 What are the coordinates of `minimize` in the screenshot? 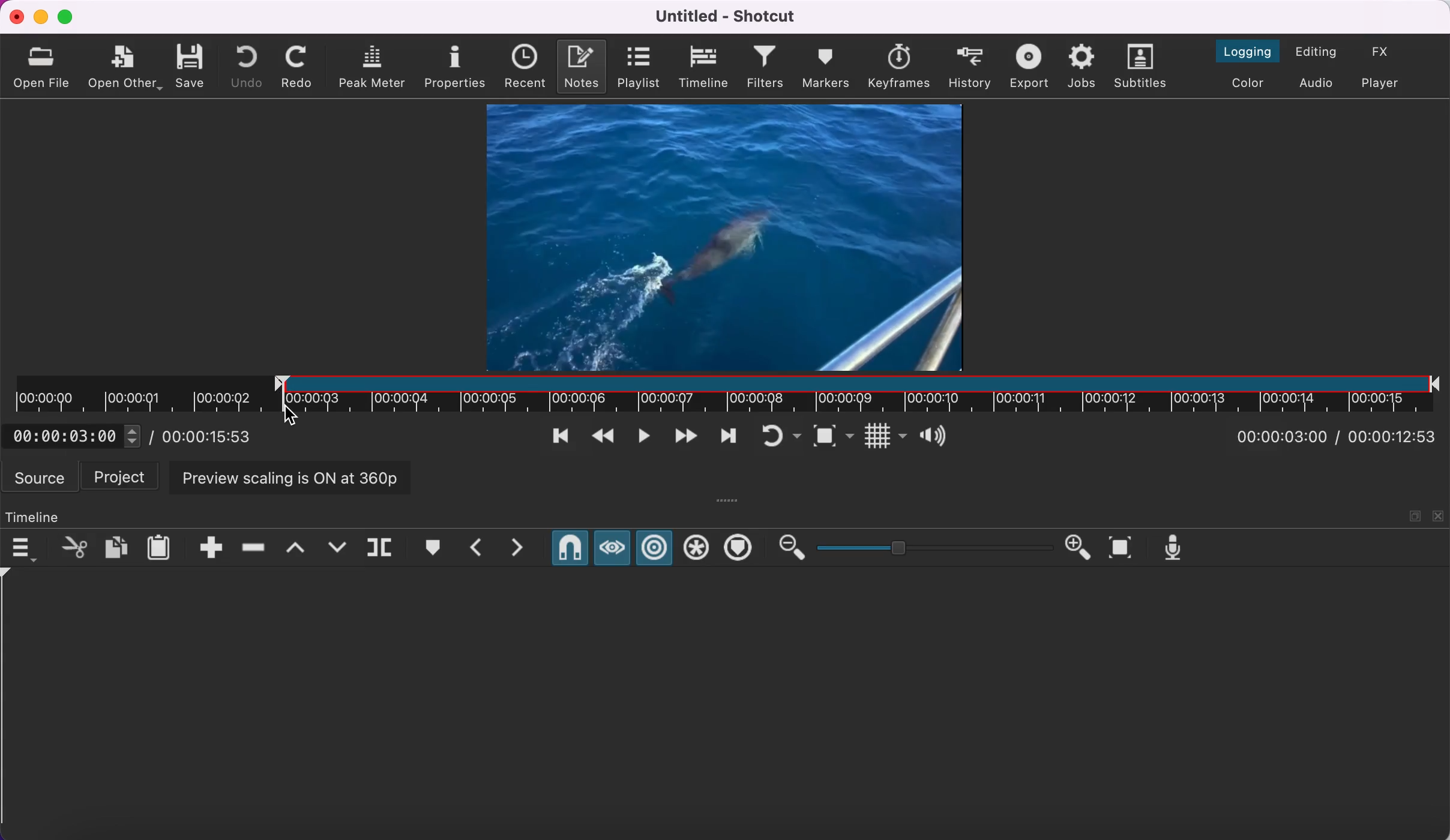 It's located at (41, 17).